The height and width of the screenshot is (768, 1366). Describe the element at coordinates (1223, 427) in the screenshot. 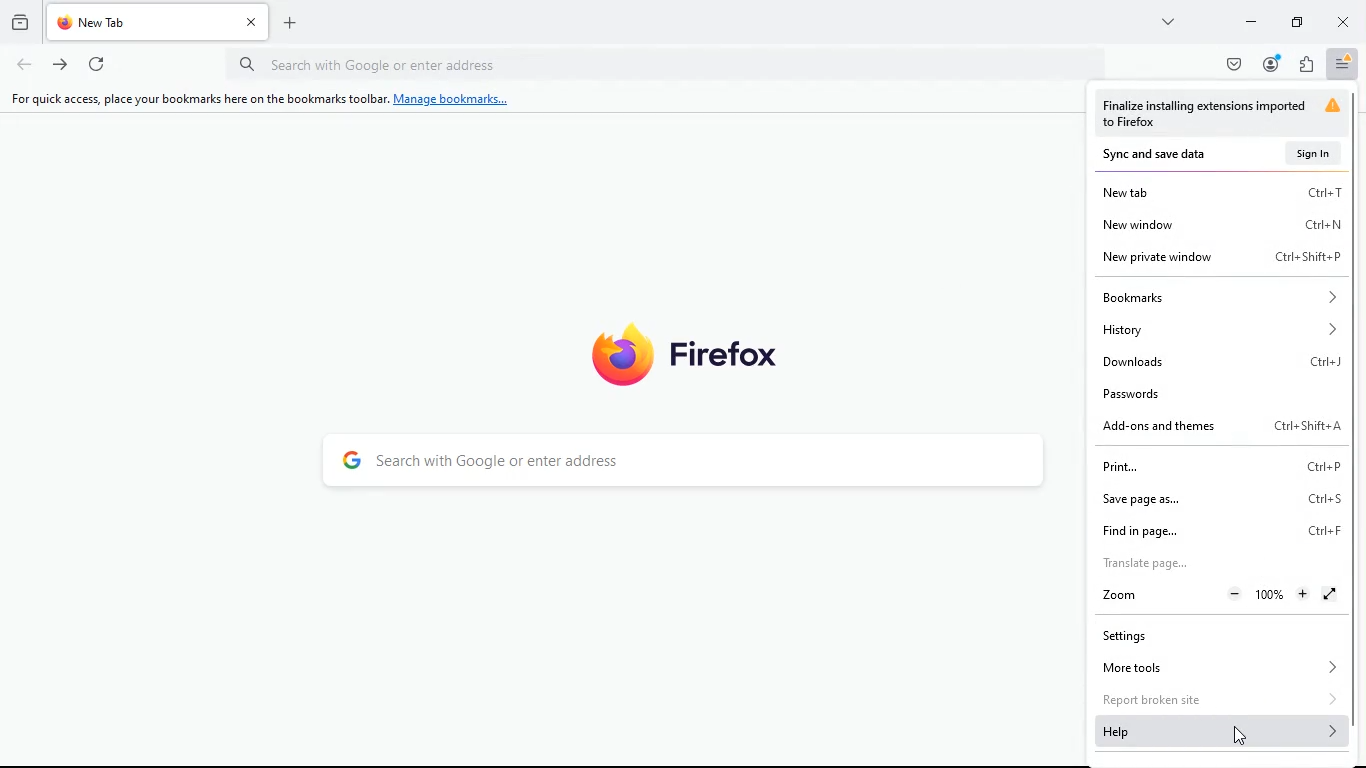

I see `add-ons and themes` at that location.